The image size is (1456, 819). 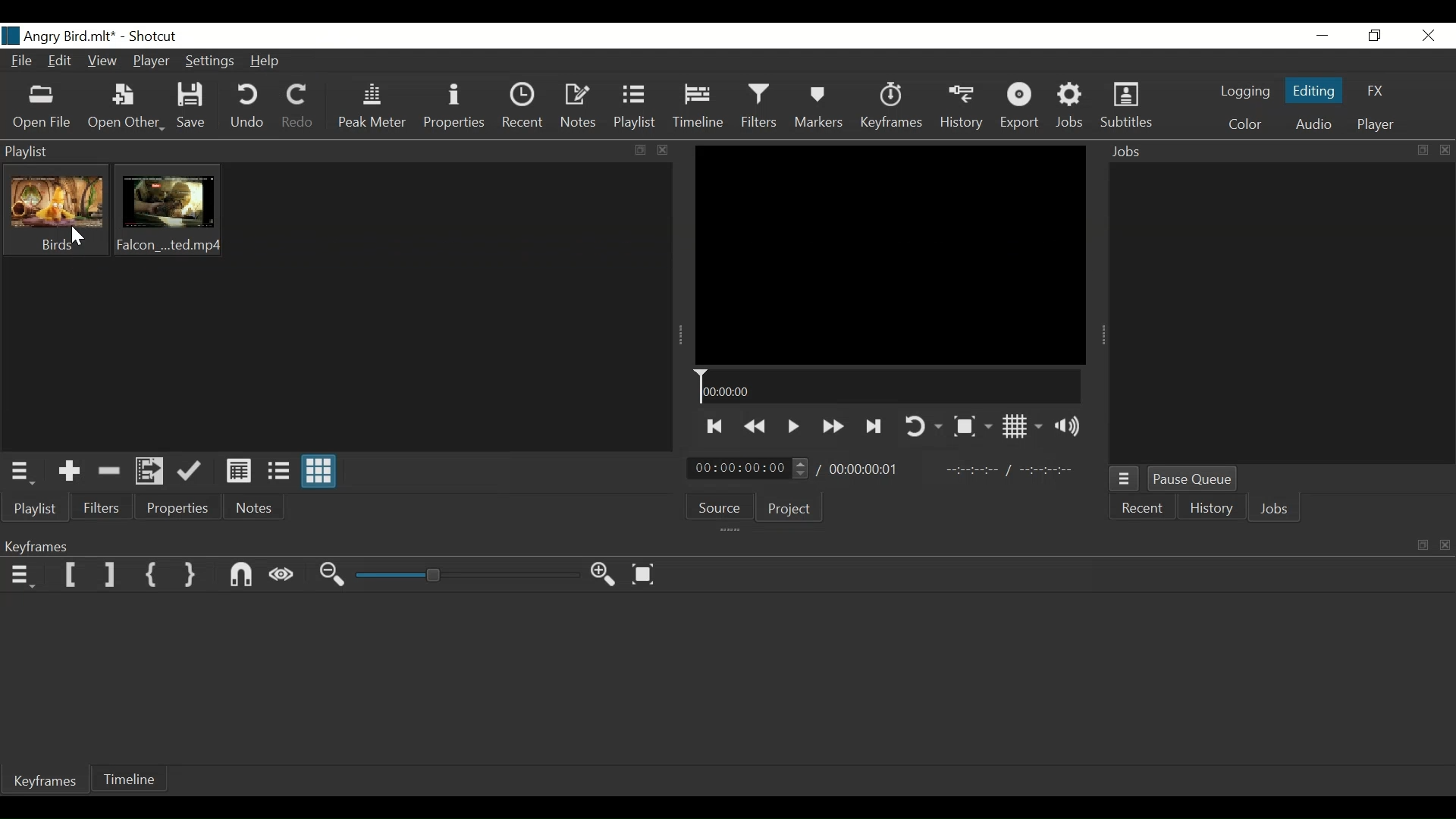 I want to click on Jobs, so click(x=1072, y=108).